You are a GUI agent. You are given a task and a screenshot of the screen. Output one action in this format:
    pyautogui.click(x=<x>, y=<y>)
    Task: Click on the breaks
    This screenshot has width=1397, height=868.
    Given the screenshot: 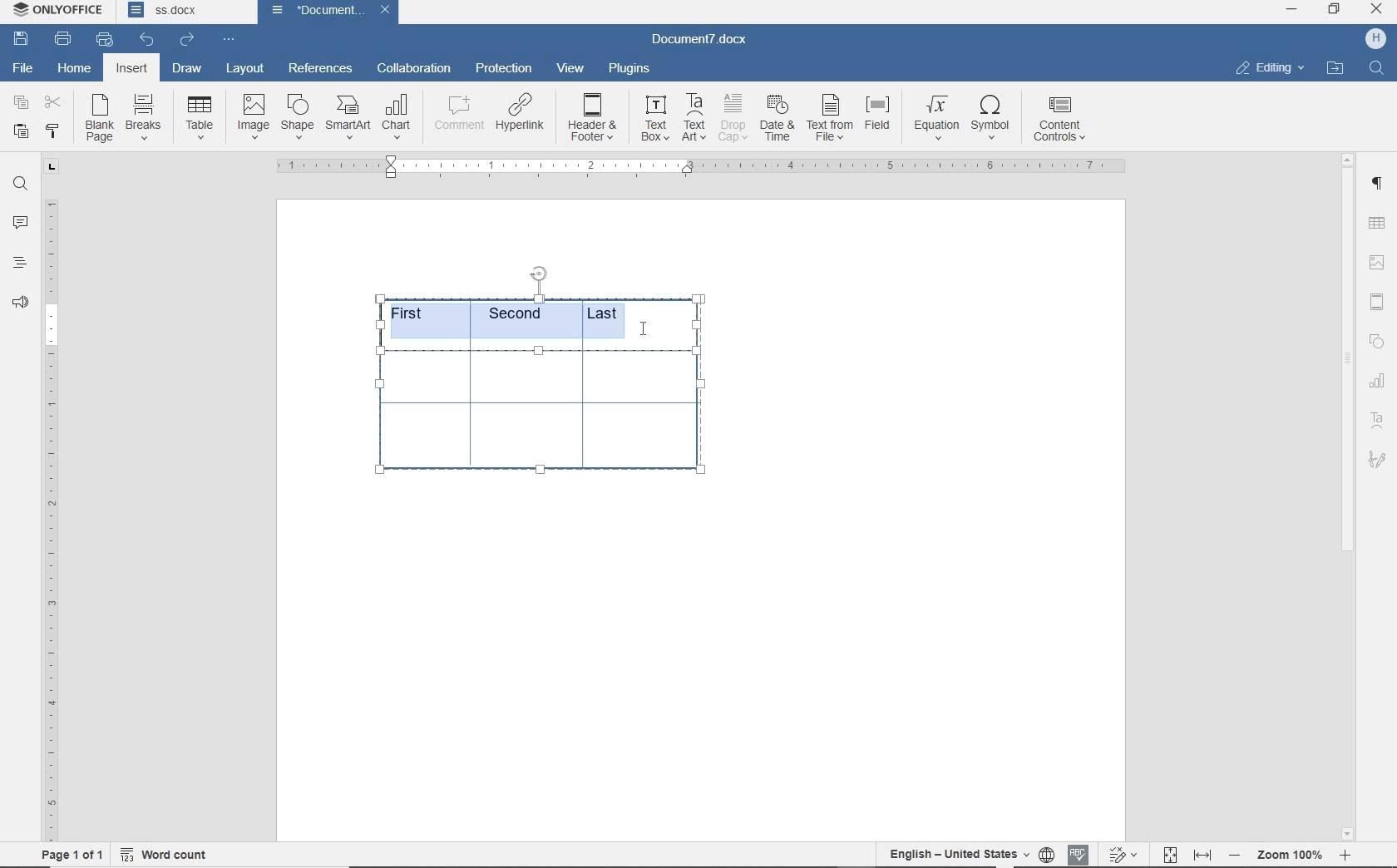 What is the action you would take?
    pyautogui.click(x=146, y=117)
    